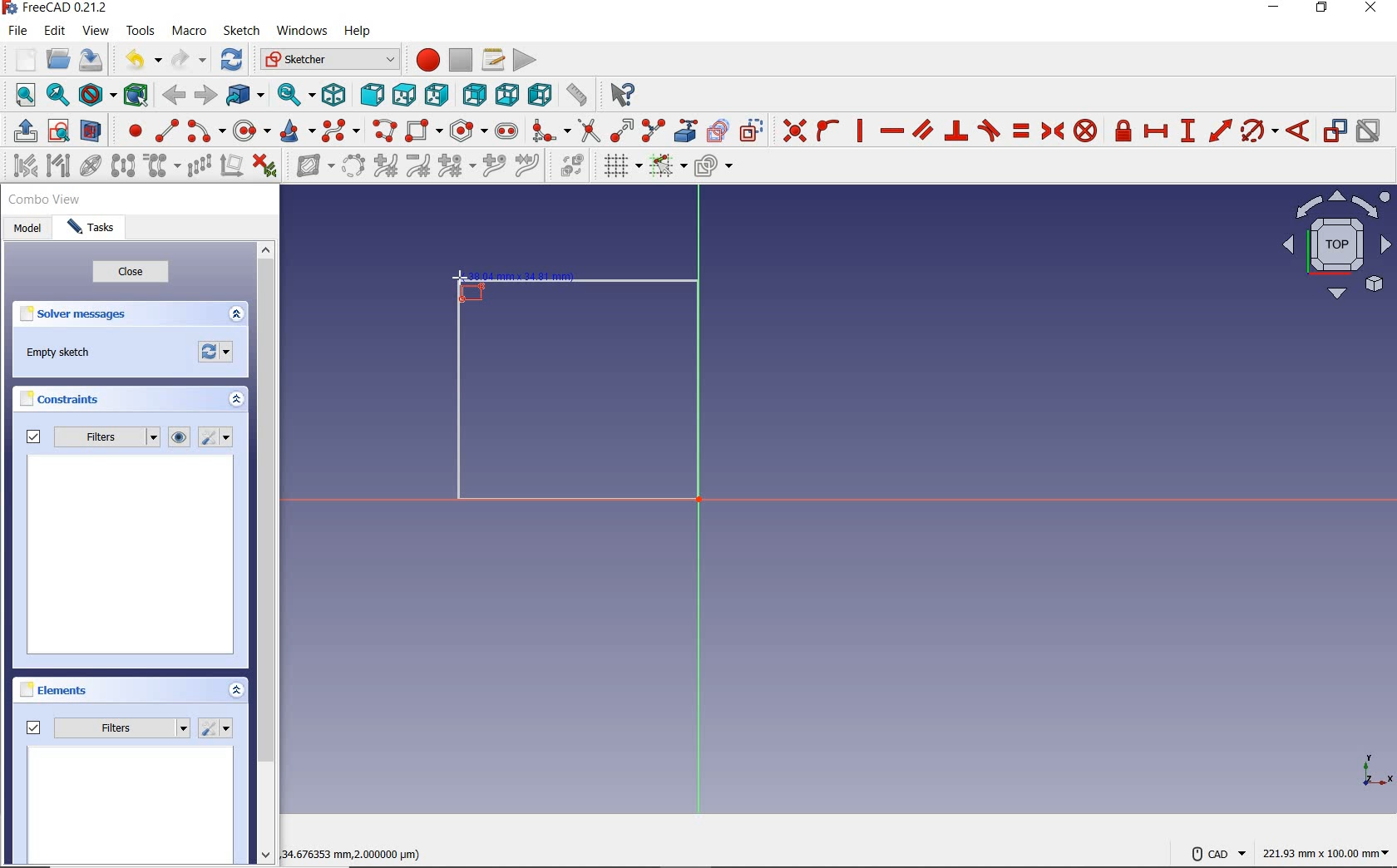 The height and width of the screenshot is (868, 1397). Describe the element at coordinates (354, 167) in the screenshot. I see `convert geometry to B-Spline` at that location.